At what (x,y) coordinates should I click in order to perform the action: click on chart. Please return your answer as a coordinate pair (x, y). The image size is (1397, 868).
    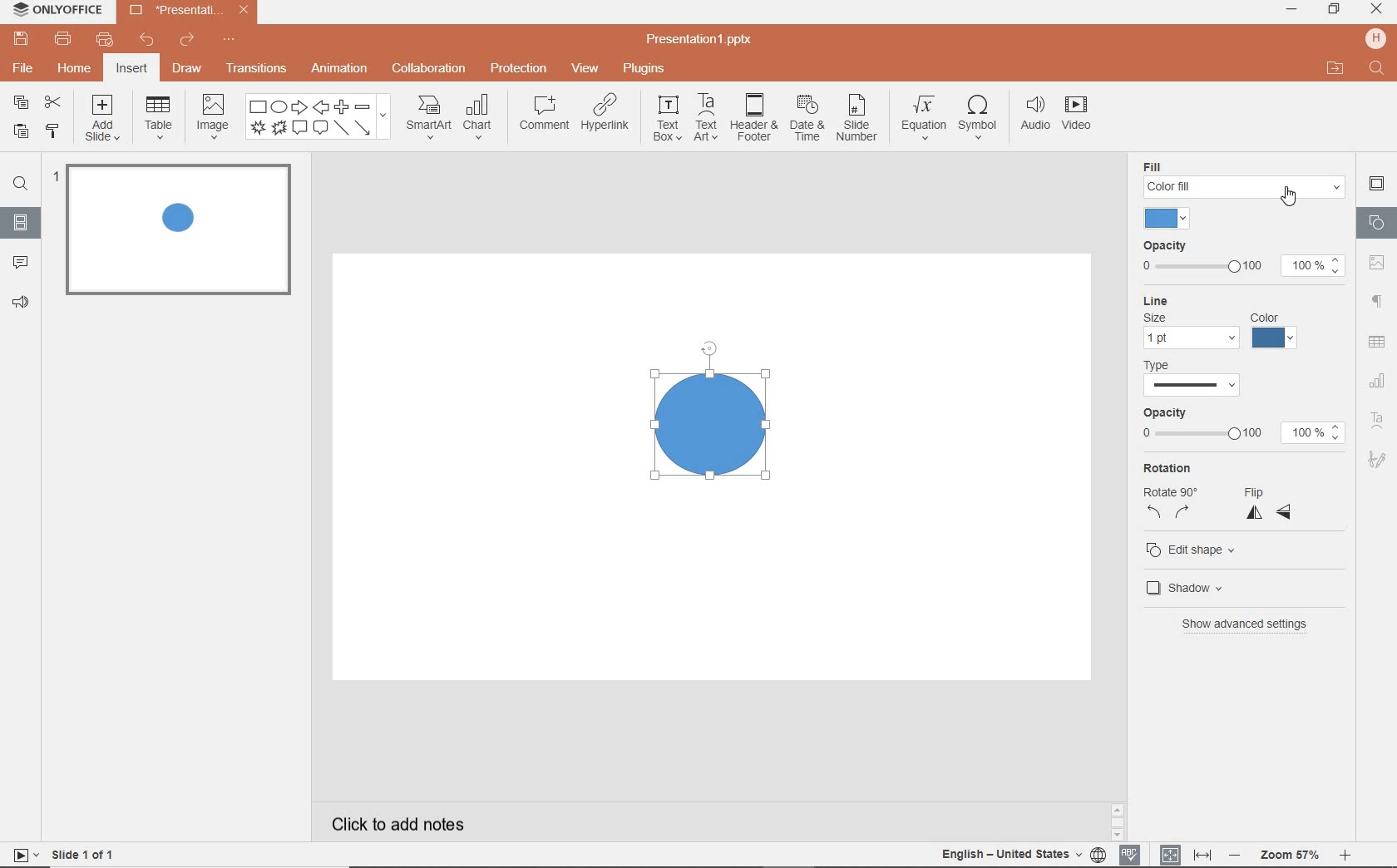
    Looking at the image, I should click on (479, 118).